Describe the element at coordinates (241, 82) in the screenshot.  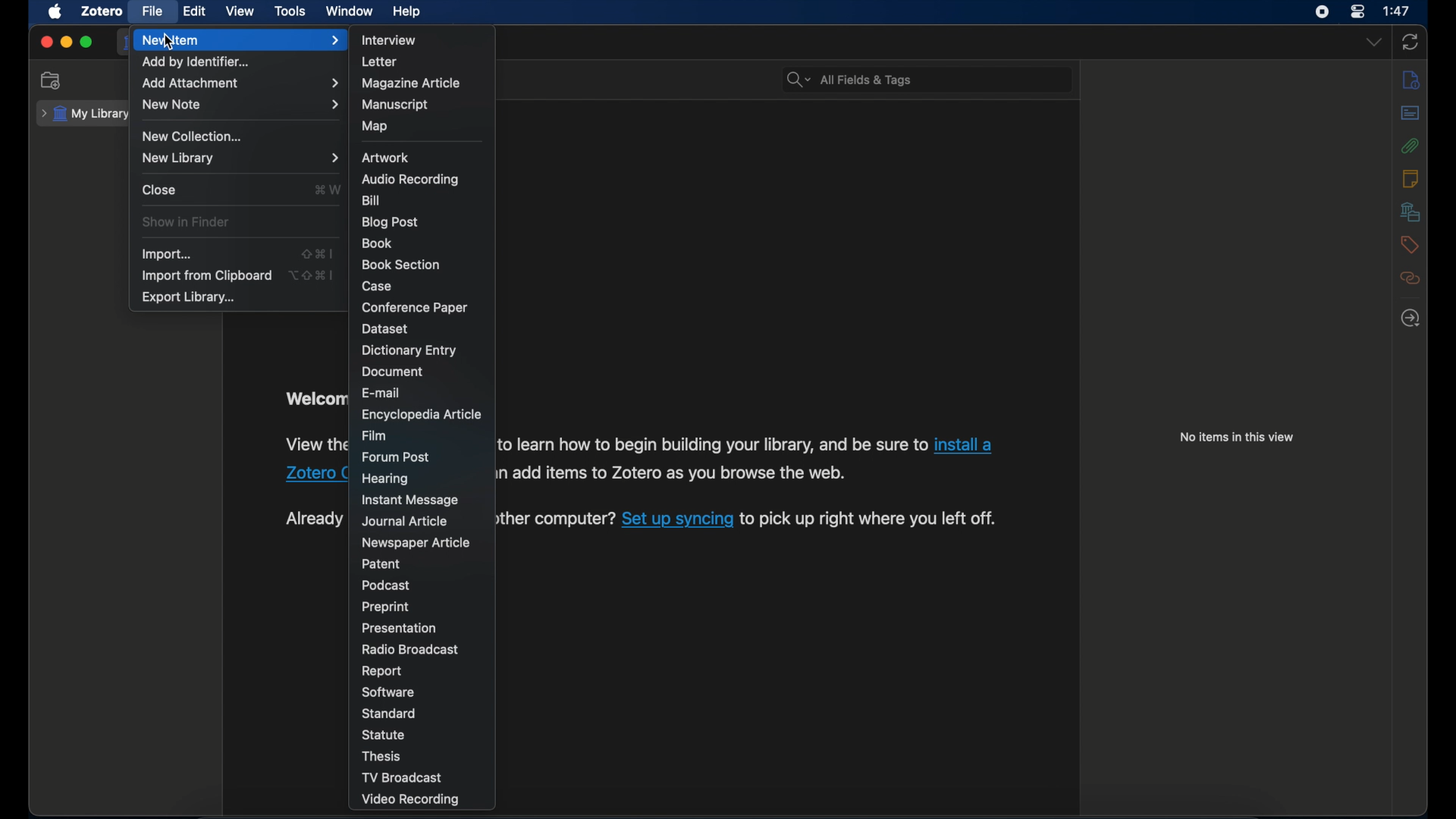
I see `add attachment` at that location.